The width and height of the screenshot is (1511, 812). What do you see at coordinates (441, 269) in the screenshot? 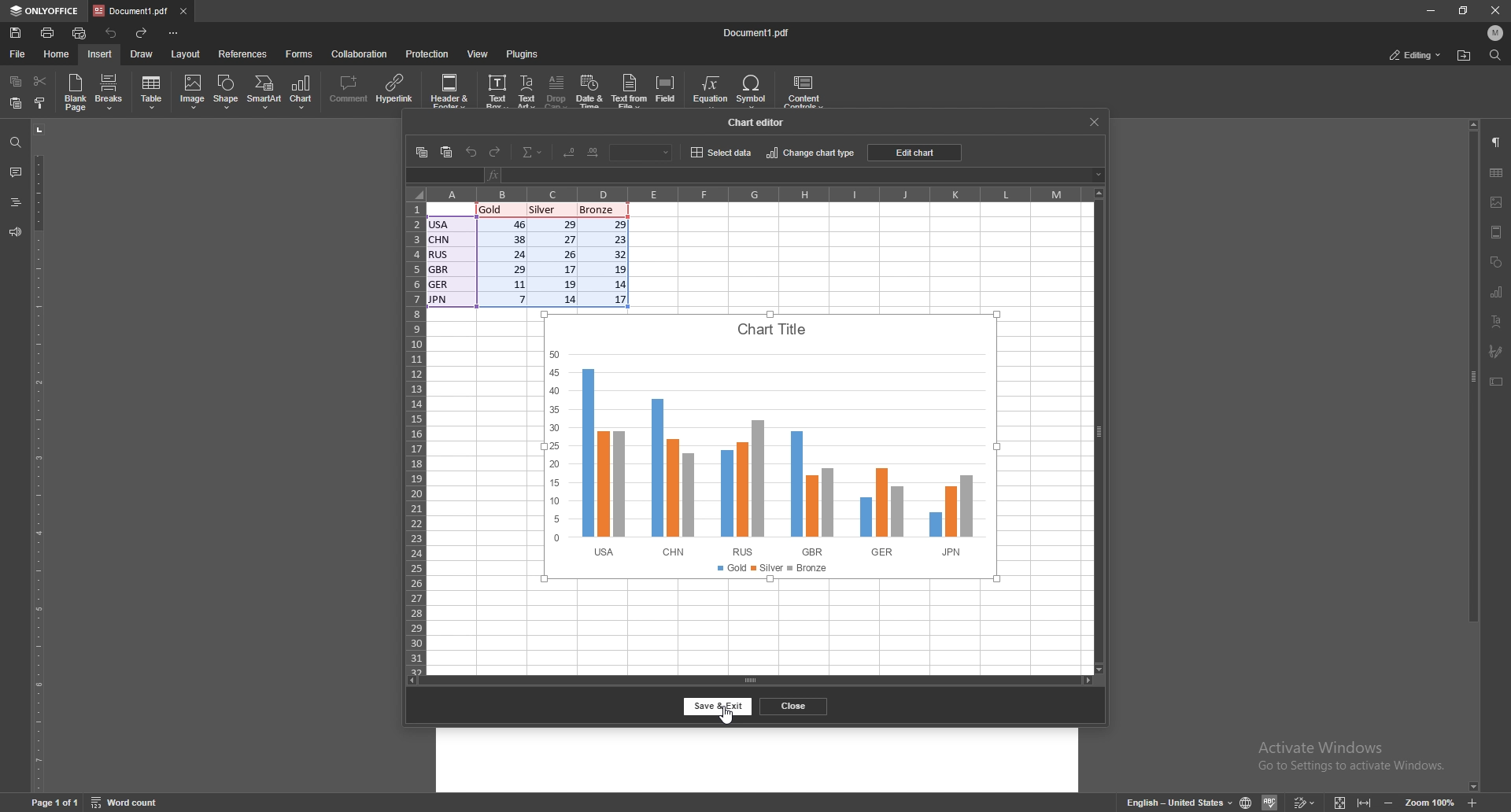
I see `GBR` at bounding box center [441, 269].